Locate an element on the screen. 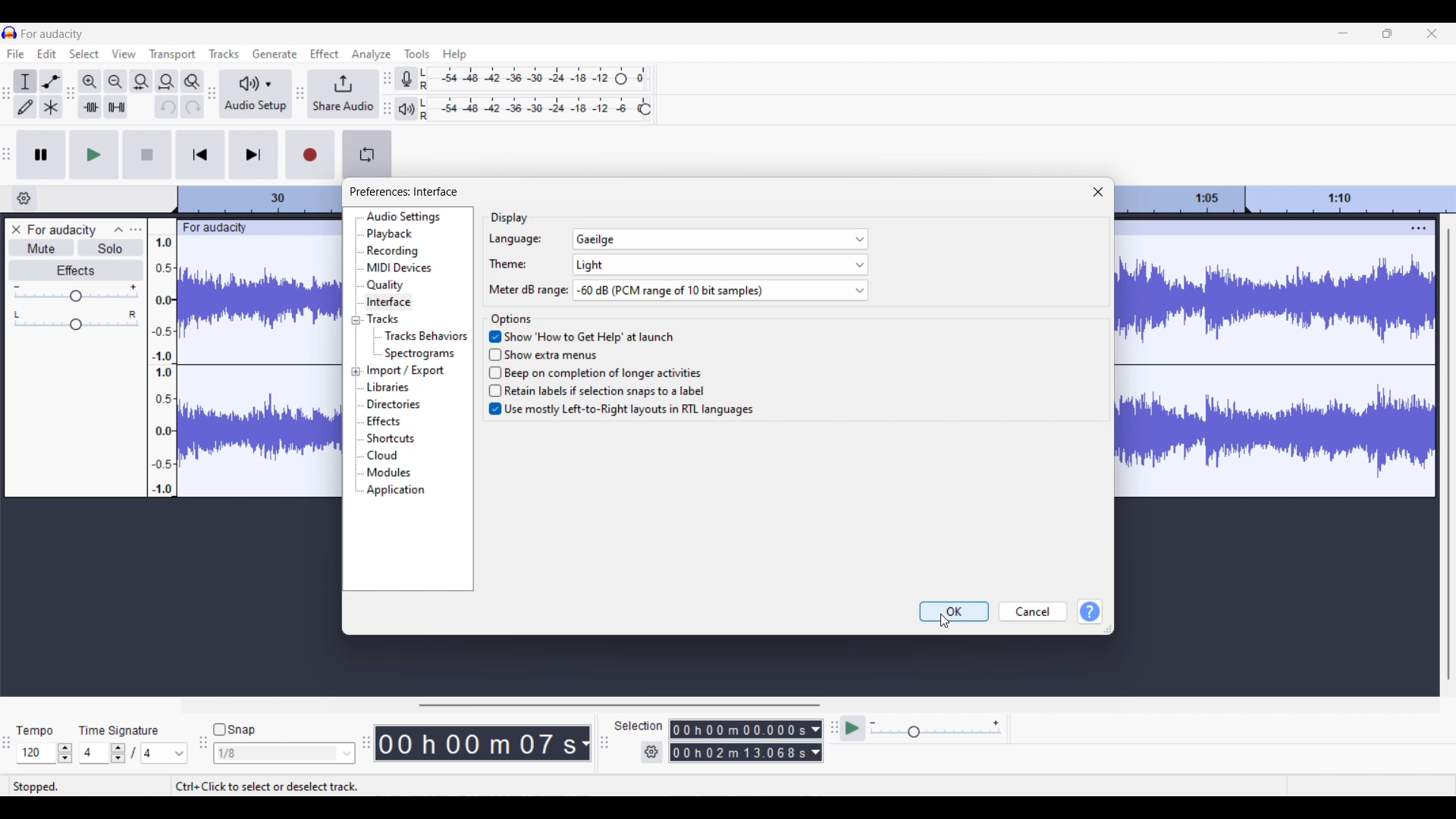 This screenshot has width=1456, height=819. File menu is located at coordinates (16, 53).